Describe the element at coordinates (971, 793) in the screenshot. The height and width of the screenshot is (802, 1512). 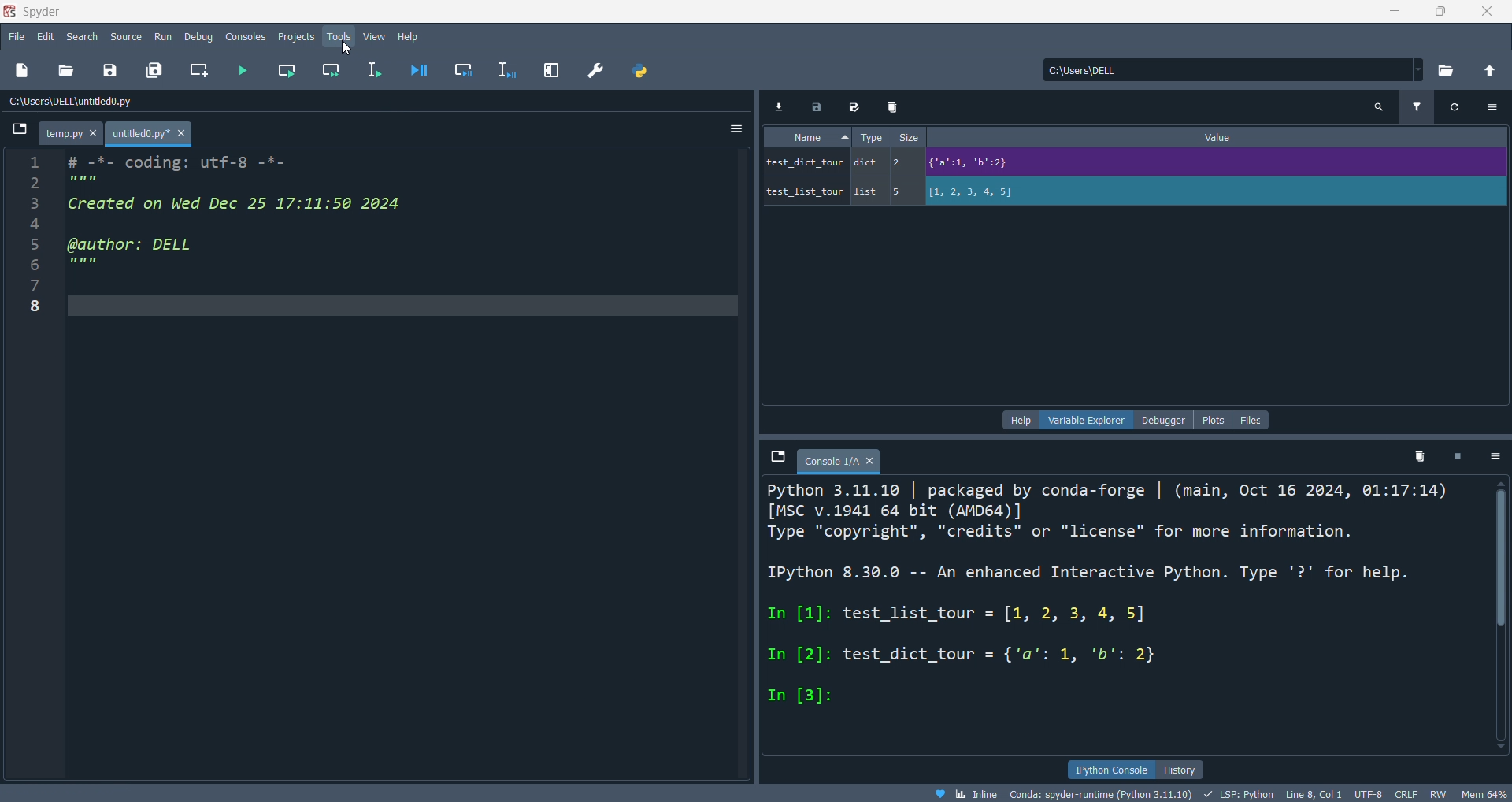
I see `Inline` at that location.